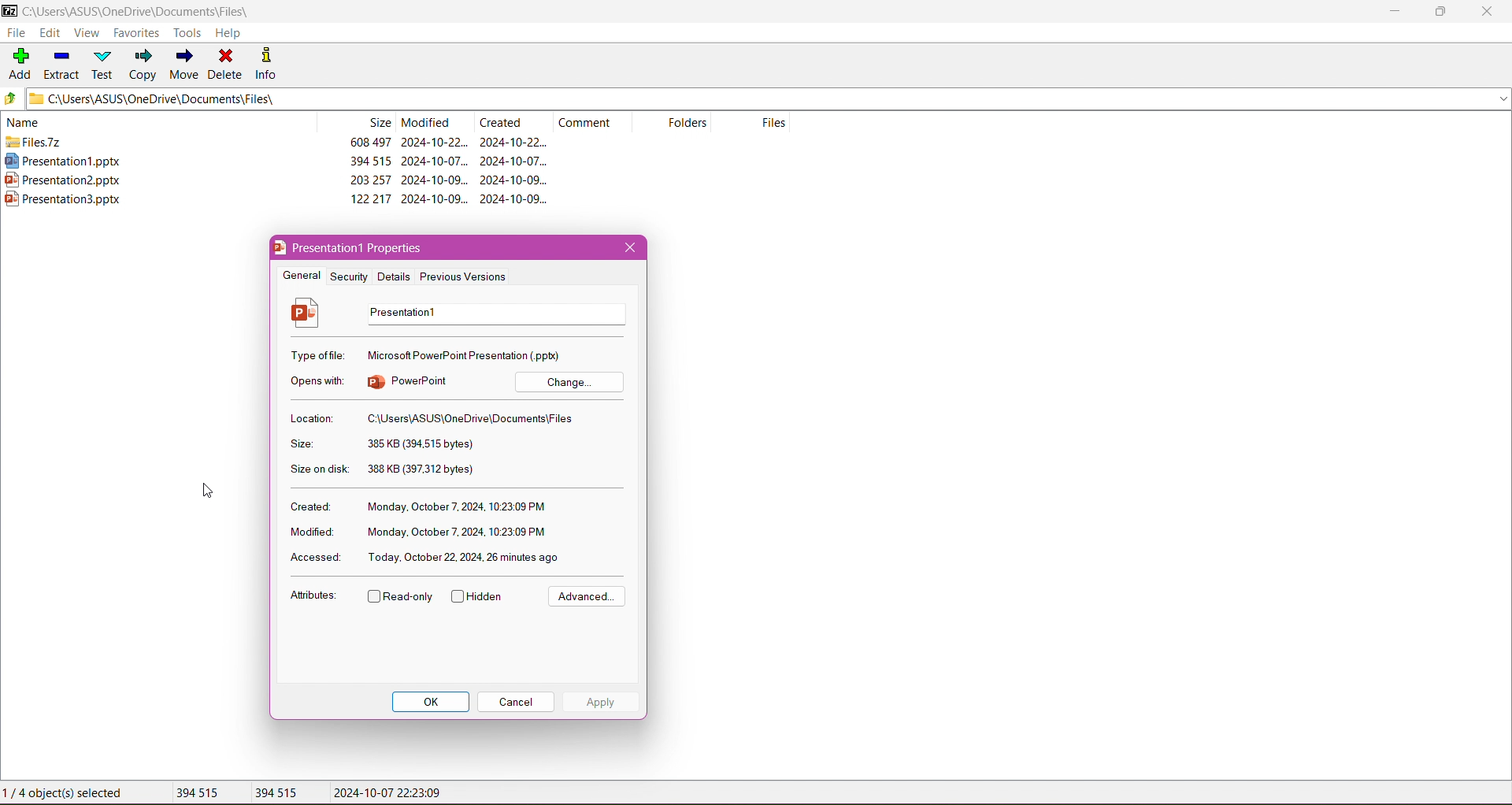 The height and width of the screenshot is (805, 1512). What do you see at coordinates (516, 702) in the screenshot?
I see `Cancel` at bounding box center [516, 702].